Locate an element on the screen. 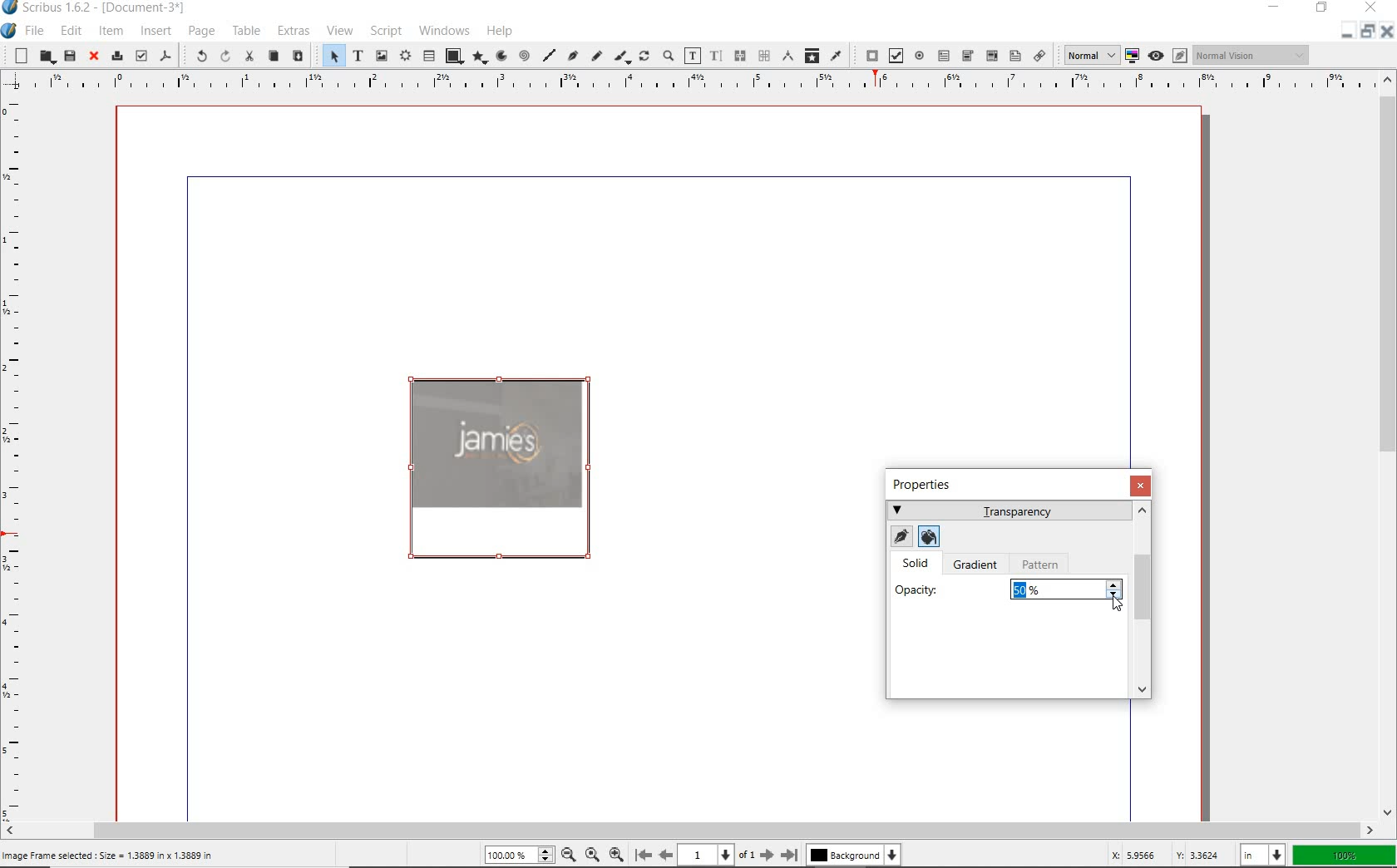 The height and width of the screenshot is (868, 1397). restore is located at coordinates (1366, 35).